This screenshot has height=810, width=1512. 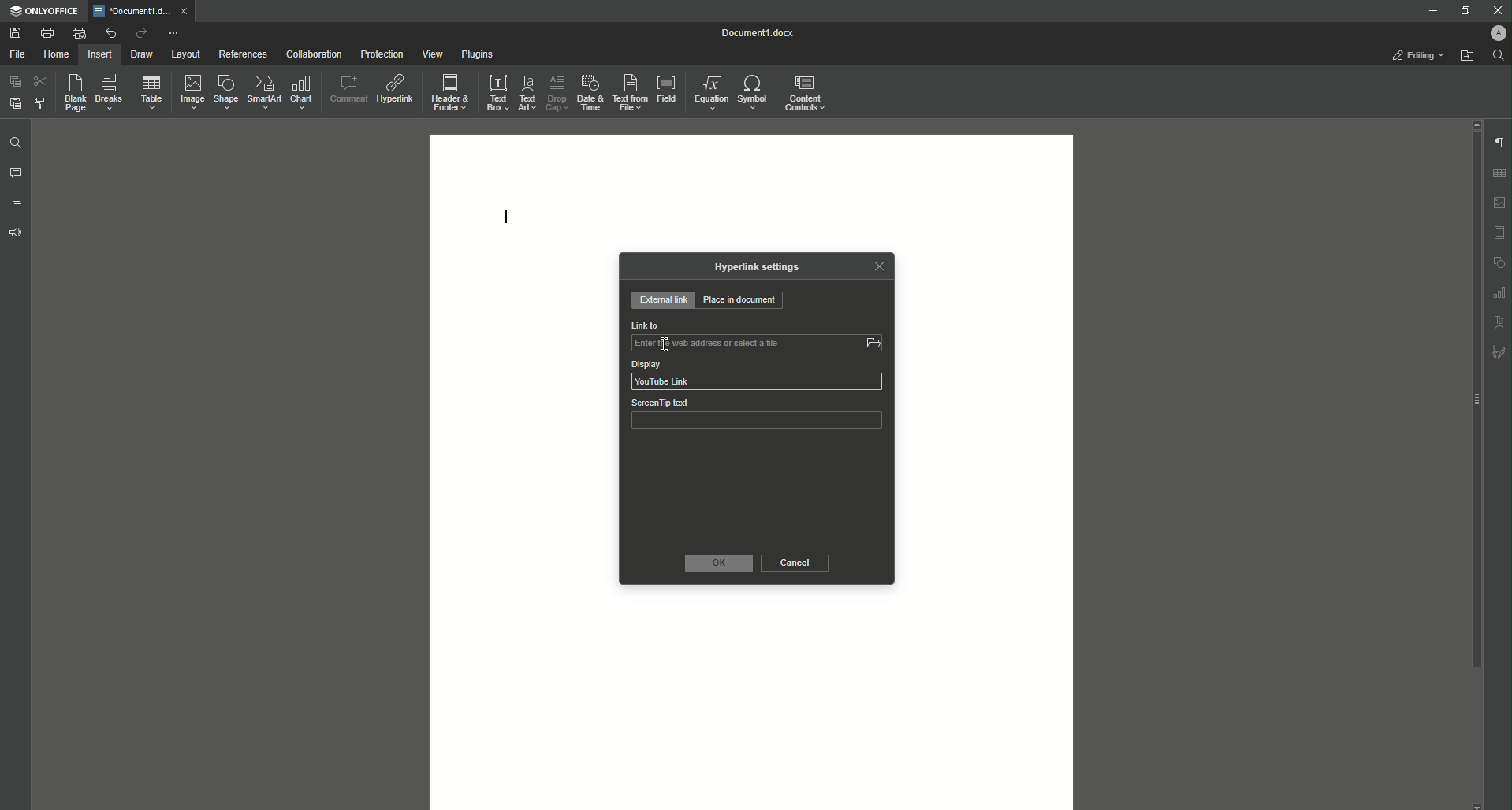 I want to click on View, so click(x=433, y=54).